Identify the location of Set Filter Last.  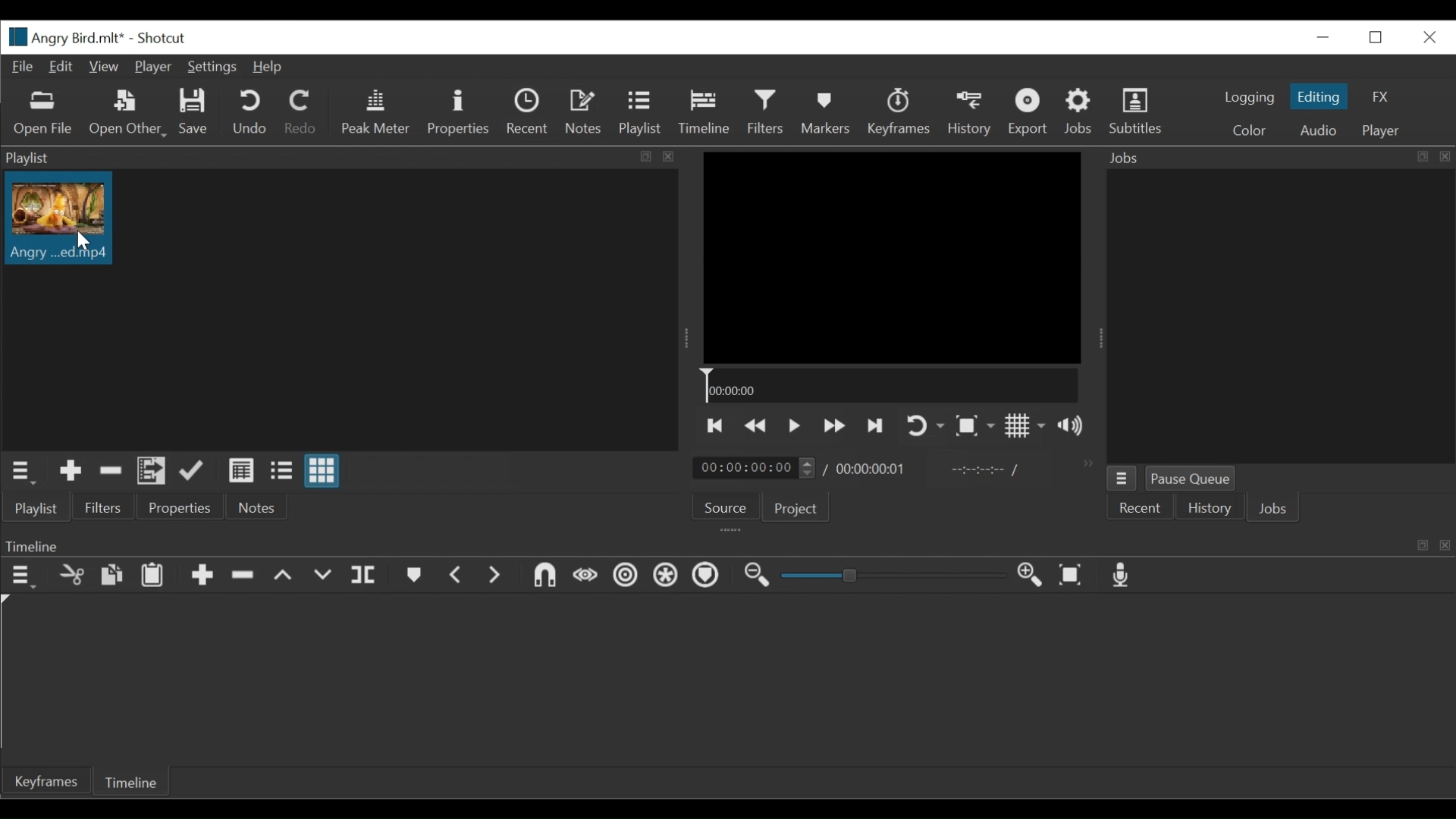
(539, 576).